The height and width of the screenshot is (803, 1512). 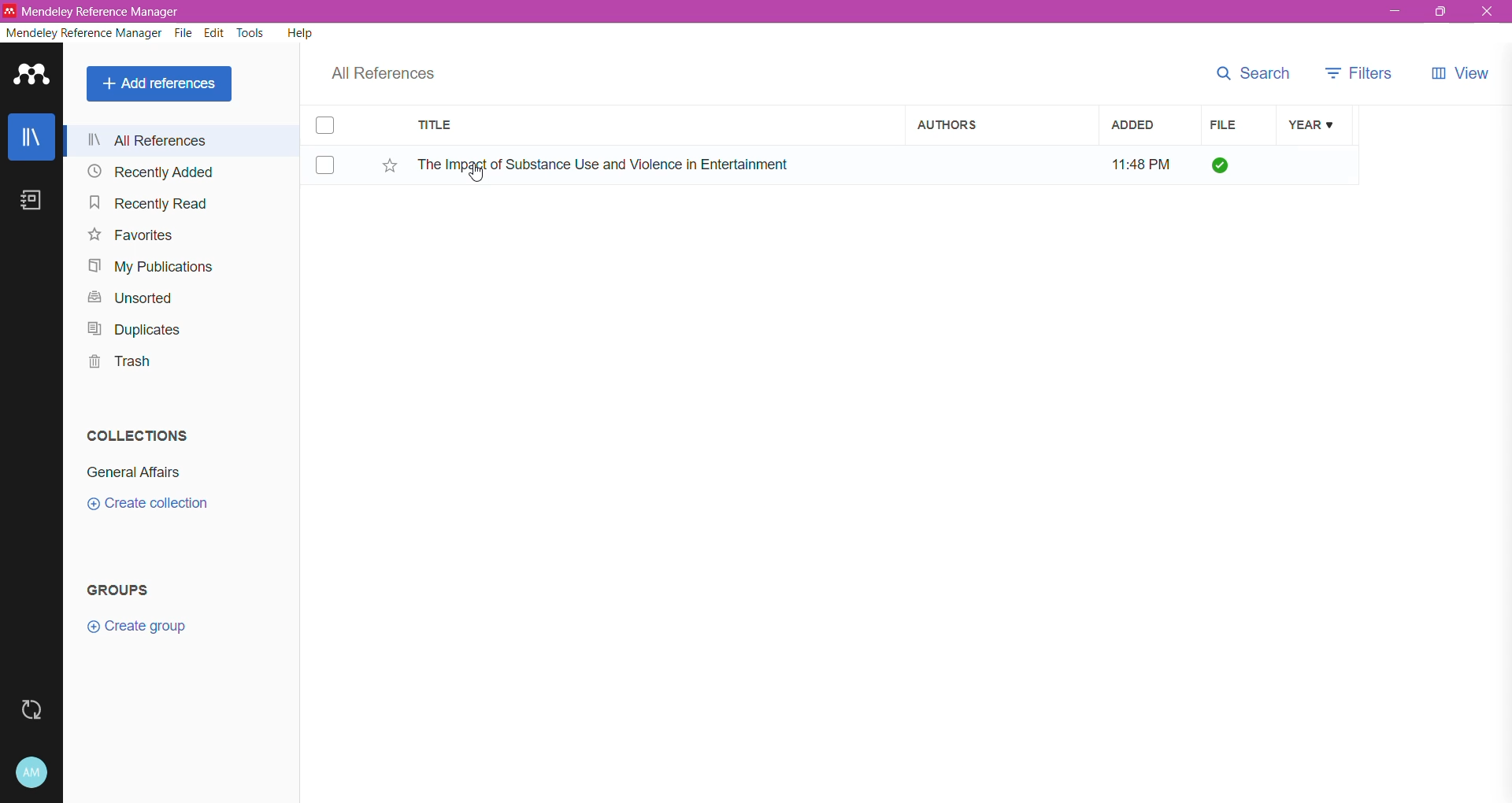 What do you see at coordinates (31, 773) in the screenshot?
I see `Account and Help` at bounding box center [31, 773].